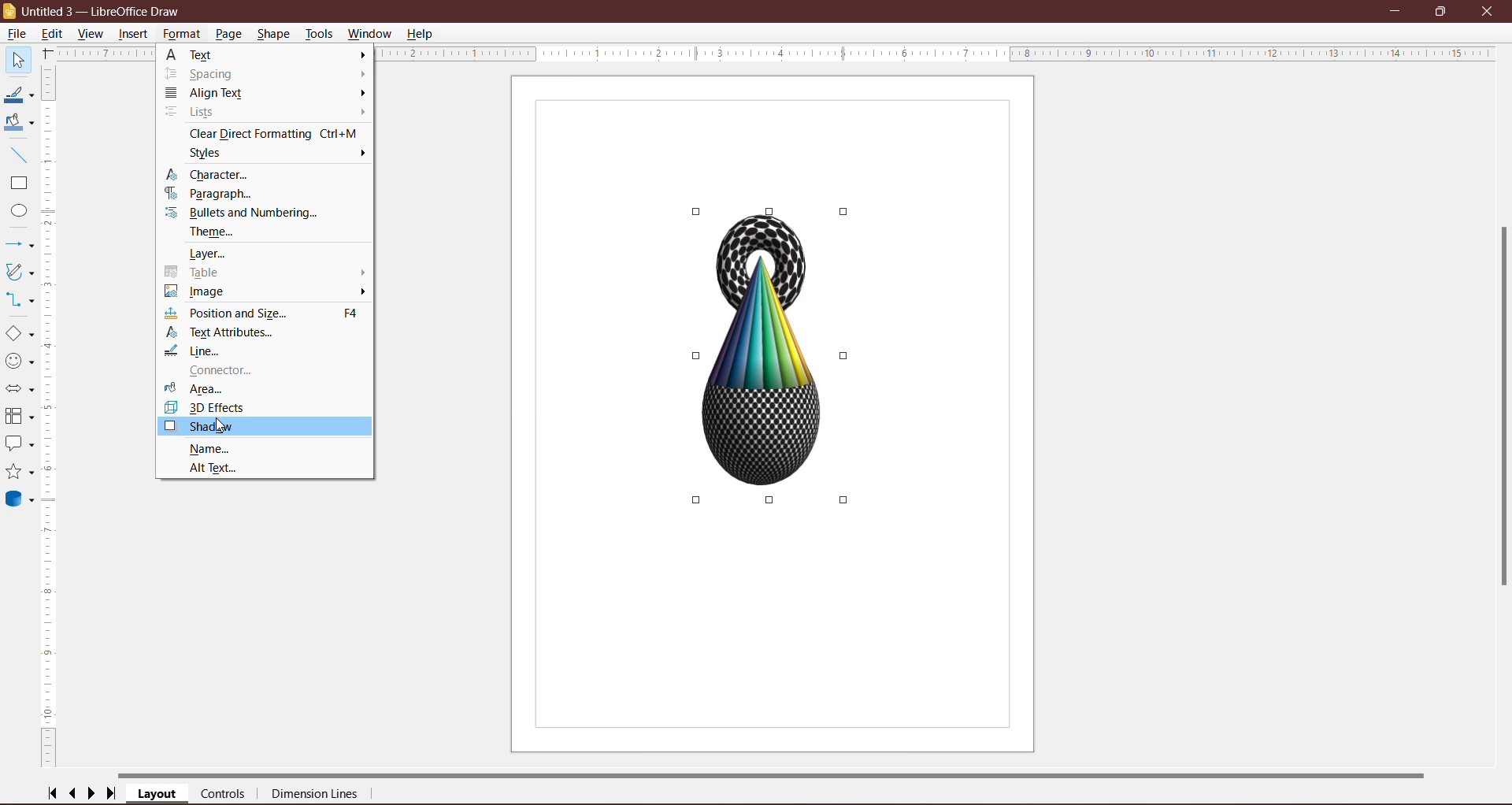 Image resolution: width=1512 pixels, height=805 pixels. I want to click on Text, so click(209, 54).